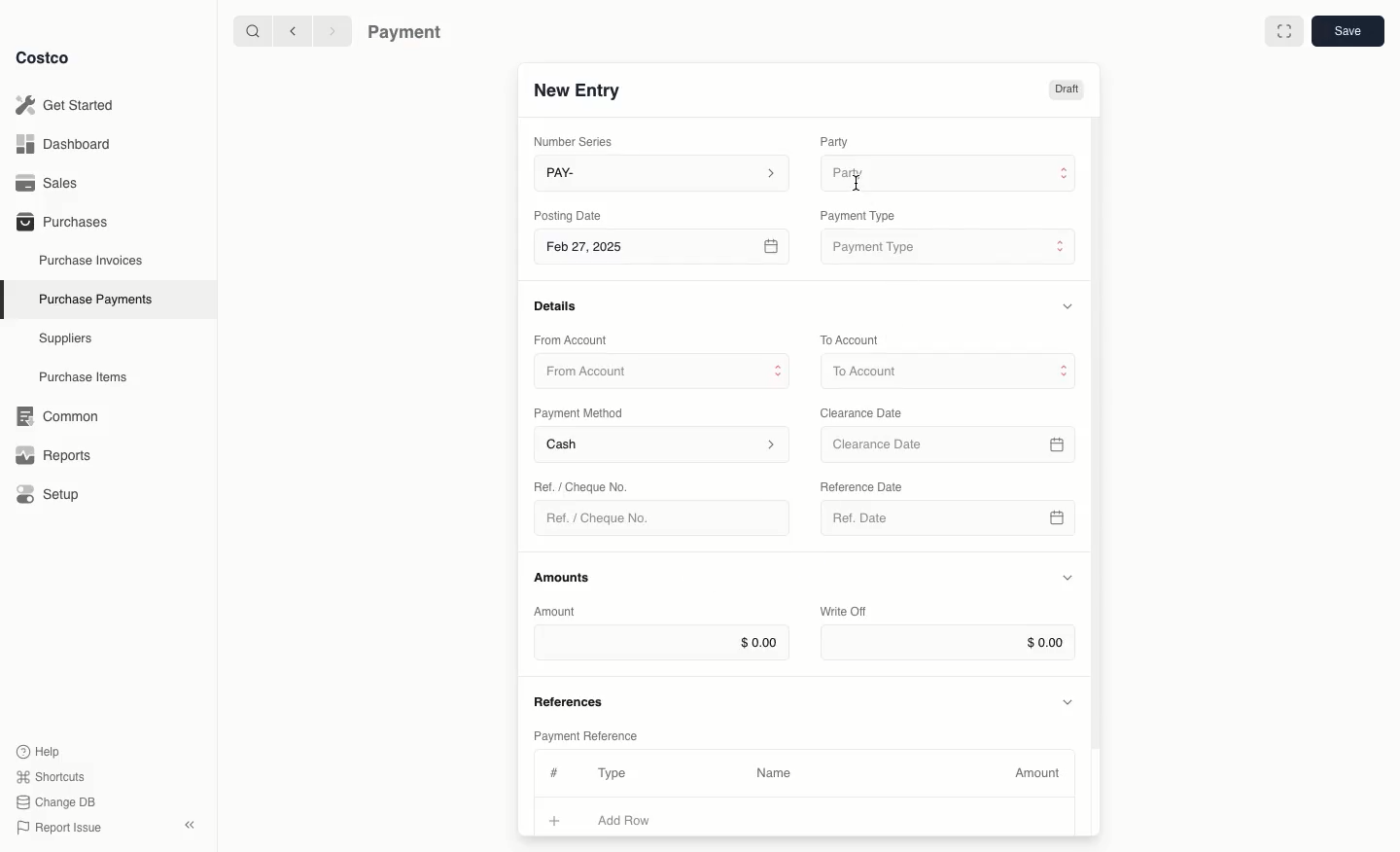  Describe the element at coordinates (580, 412) in the screenshot. I see `Payment Method` at that location.